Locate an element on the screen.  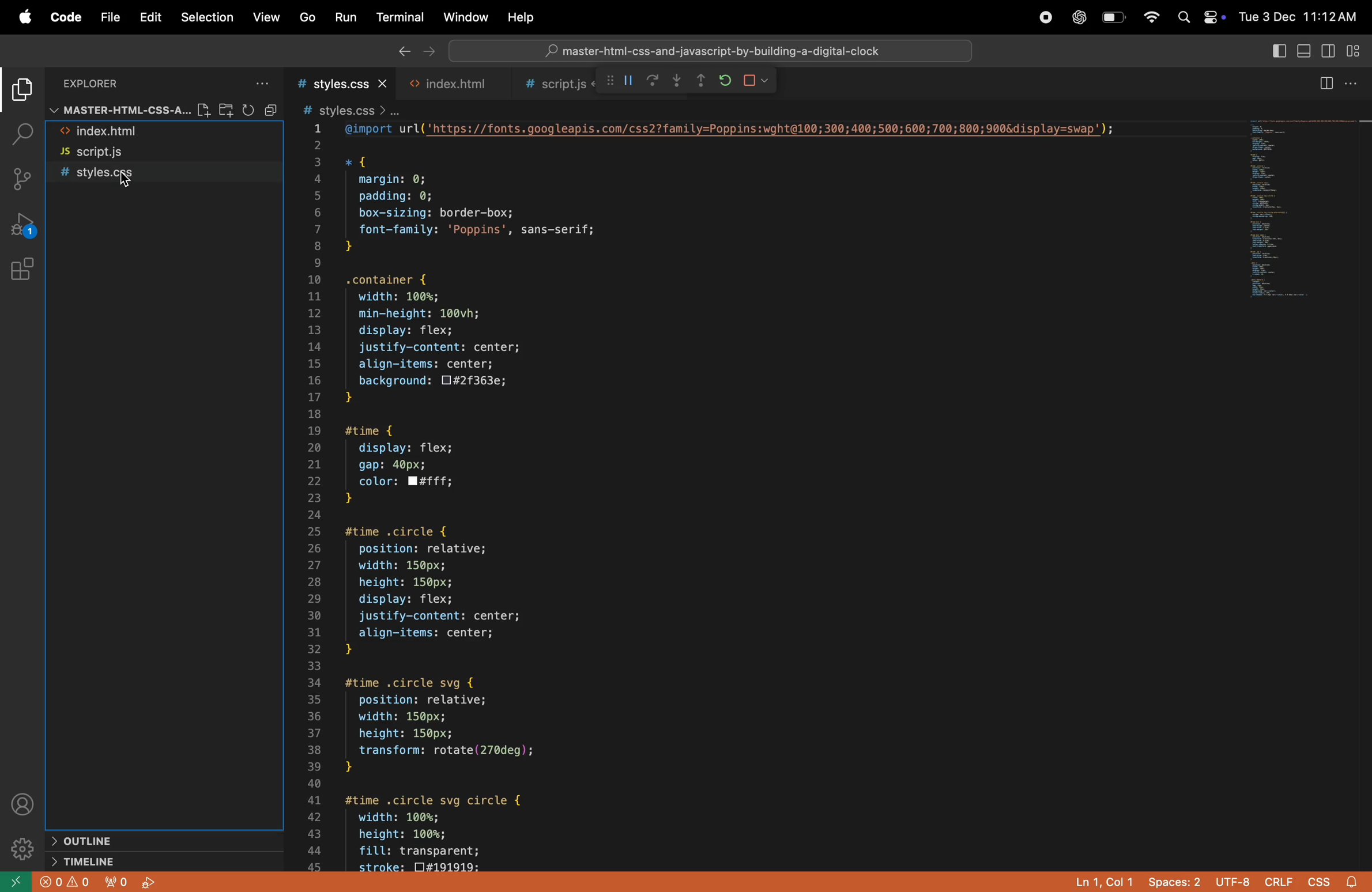
new folder is located at coordinates (228, 110).